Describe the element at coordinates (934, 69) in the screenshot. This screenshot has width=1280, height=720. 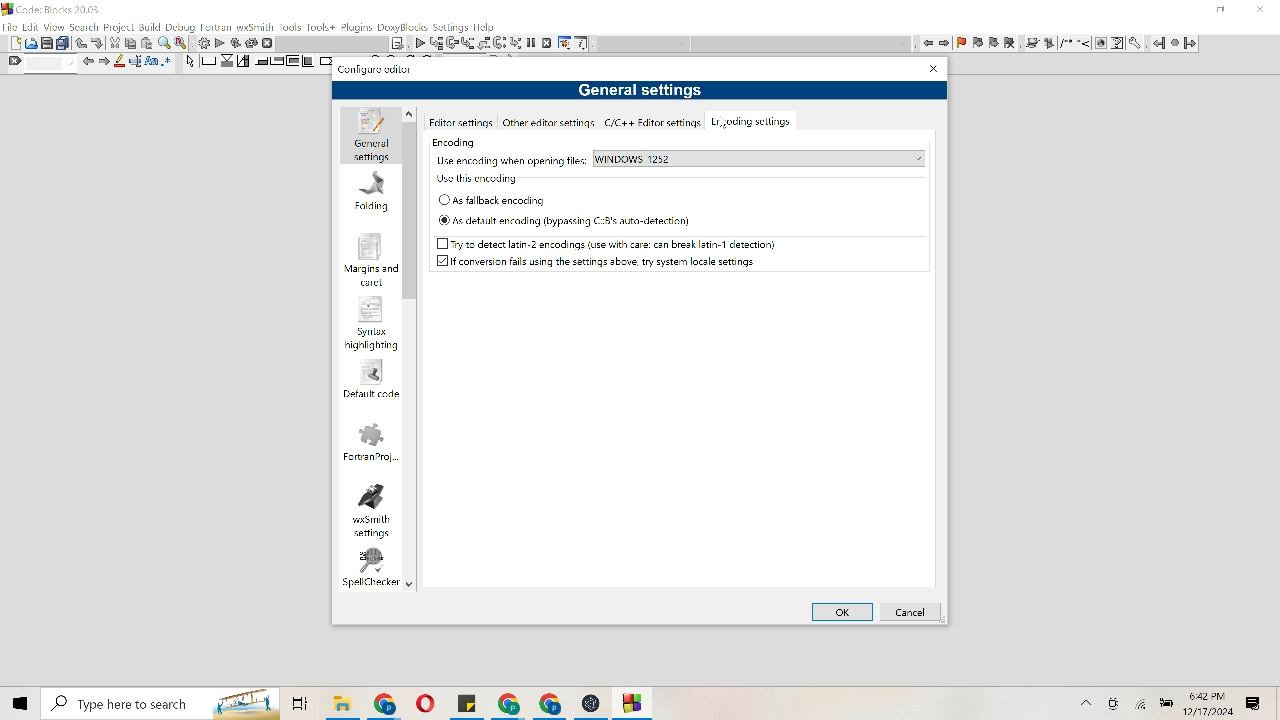
I see `Close` at that location.